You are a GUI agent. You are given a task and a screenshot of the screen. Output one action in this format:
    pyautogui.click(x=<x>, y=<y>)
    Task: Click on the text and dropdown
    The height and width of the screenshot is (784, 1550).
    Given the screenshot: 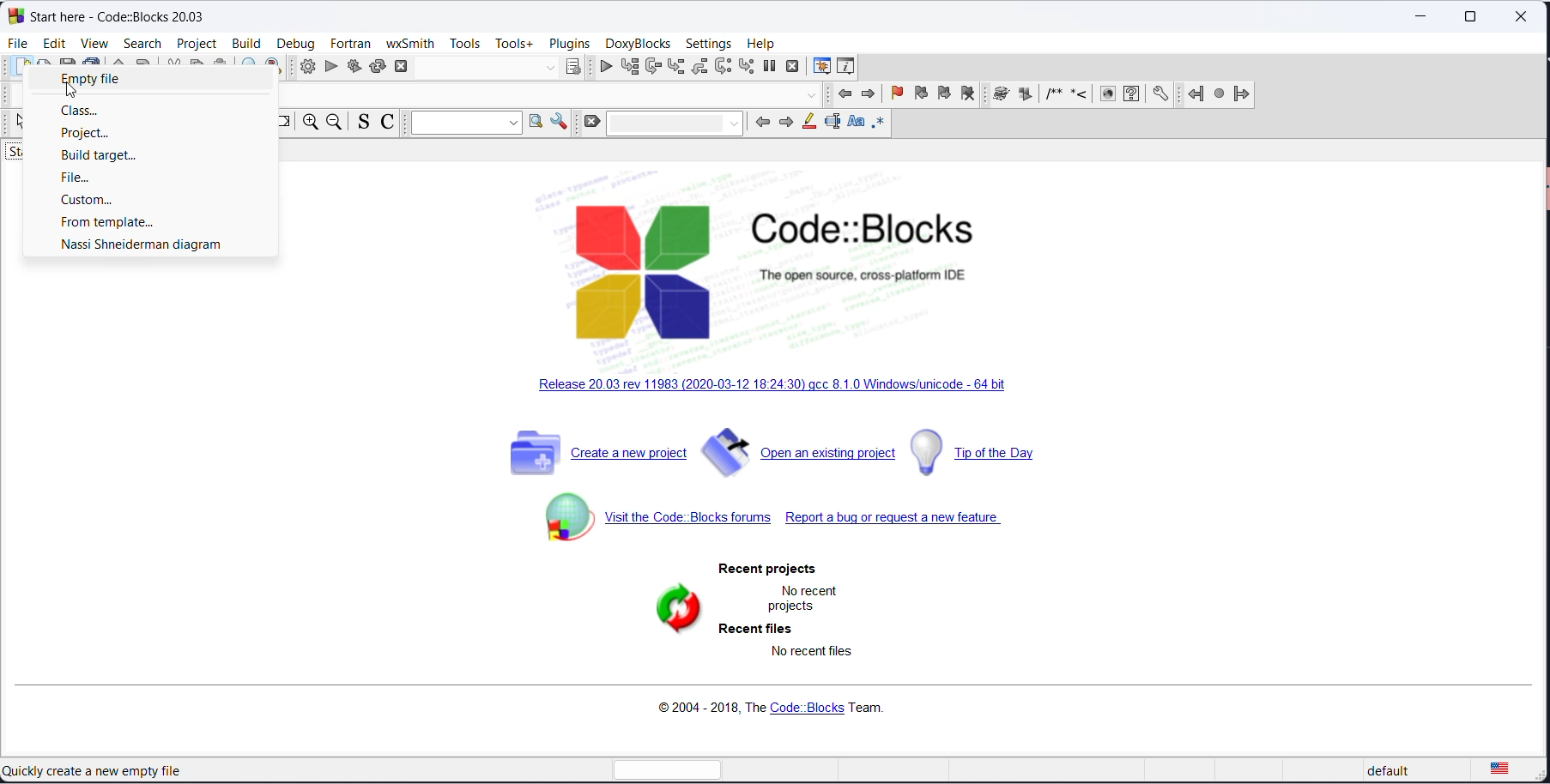 What is the action you would take?
    pyautogui.click(x=675, y=124)
    